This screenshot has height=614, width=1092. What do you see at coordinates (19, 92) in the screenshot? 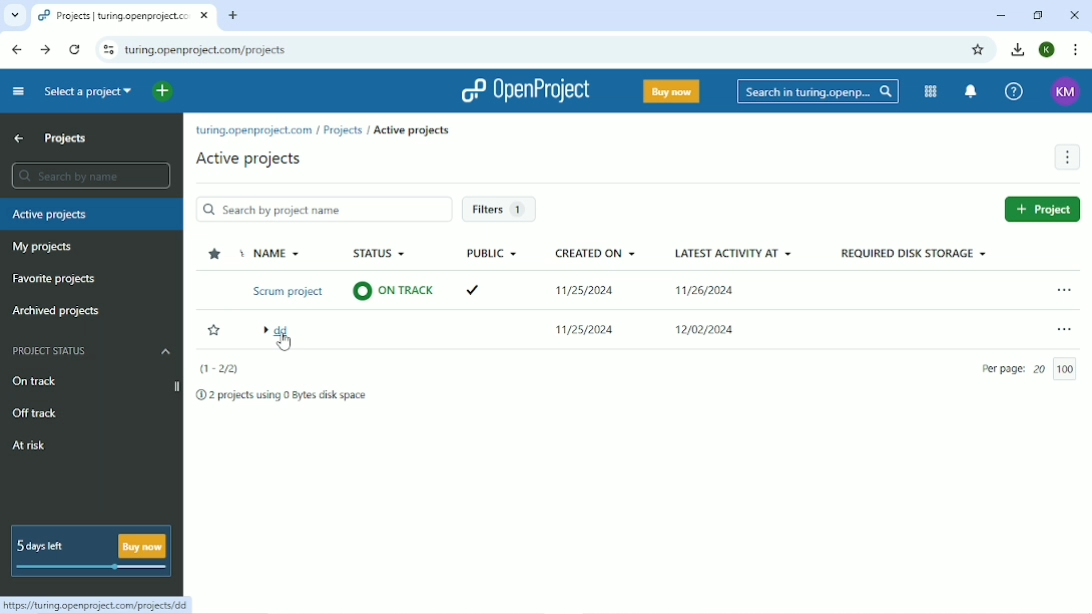
I see `Collapse project menu` at bounding box center [19, 92].